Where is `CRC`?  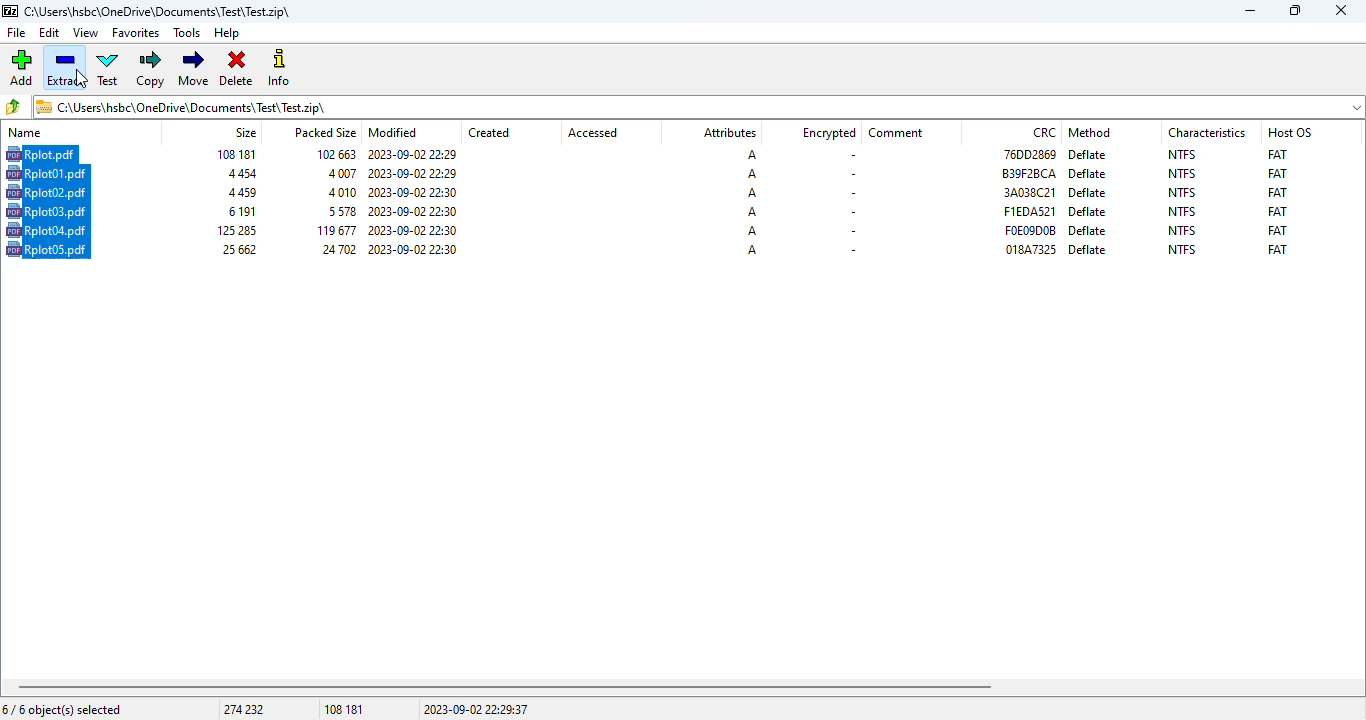 CRC is located at coordinates (1045, 132).